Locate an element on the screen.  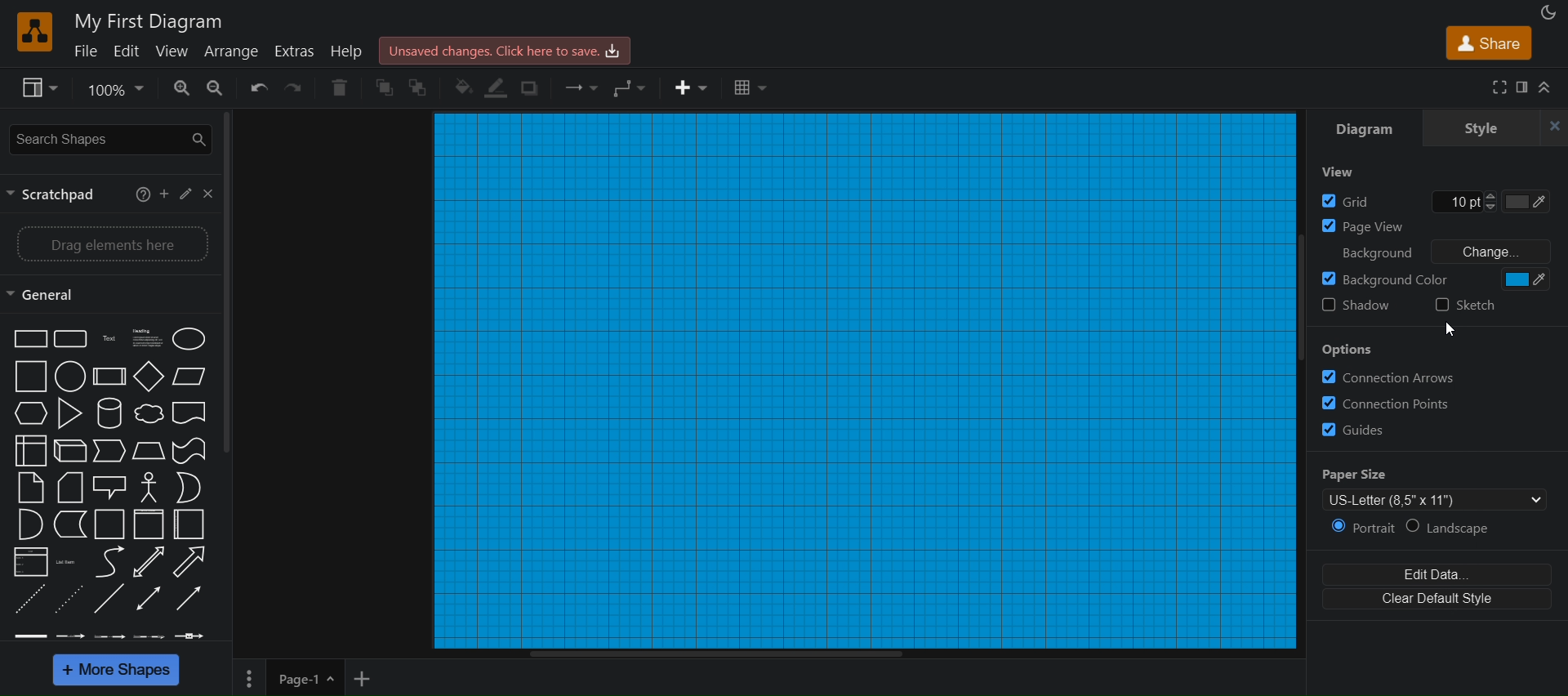
 is located at coordinates (1351, 351).